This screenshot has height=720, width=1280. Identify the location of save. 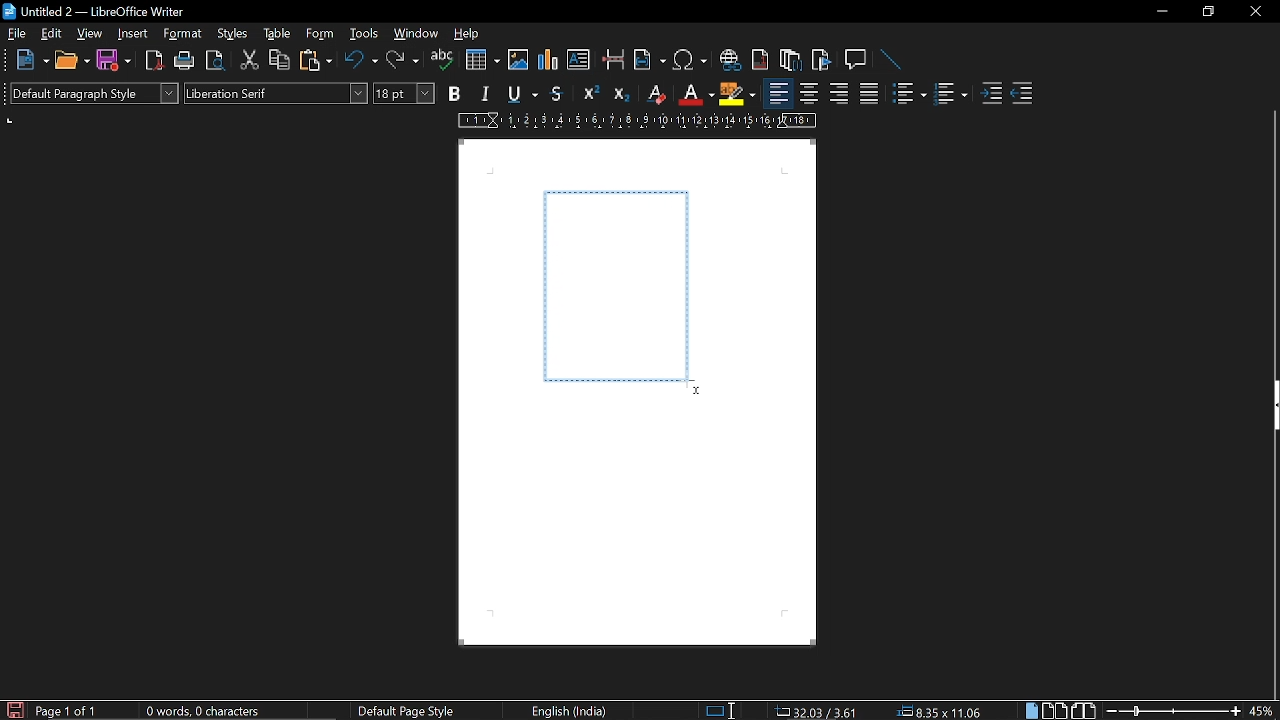
(14, 709).